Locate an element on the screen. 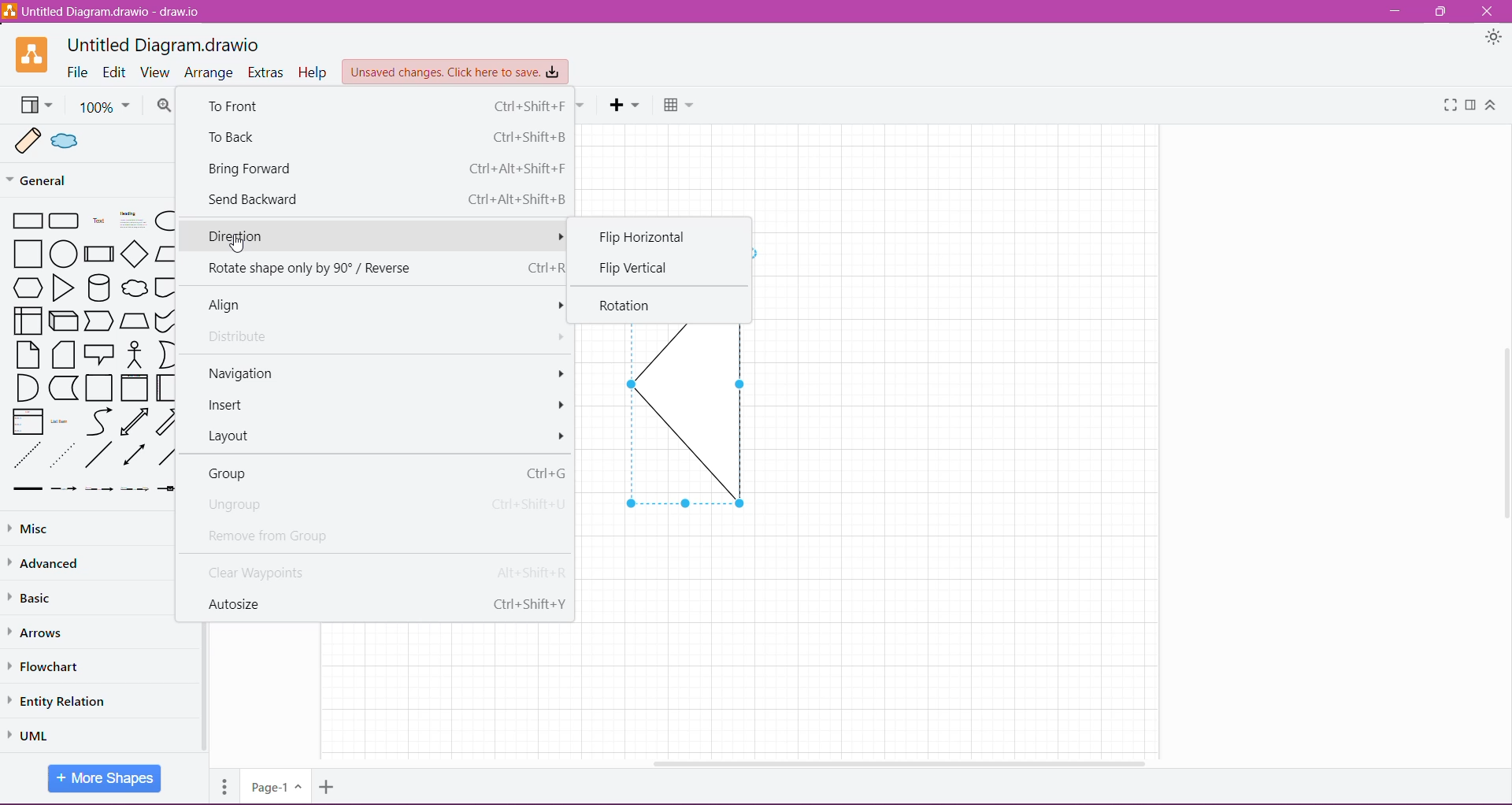  Layout is located at coordinates (384, 436).